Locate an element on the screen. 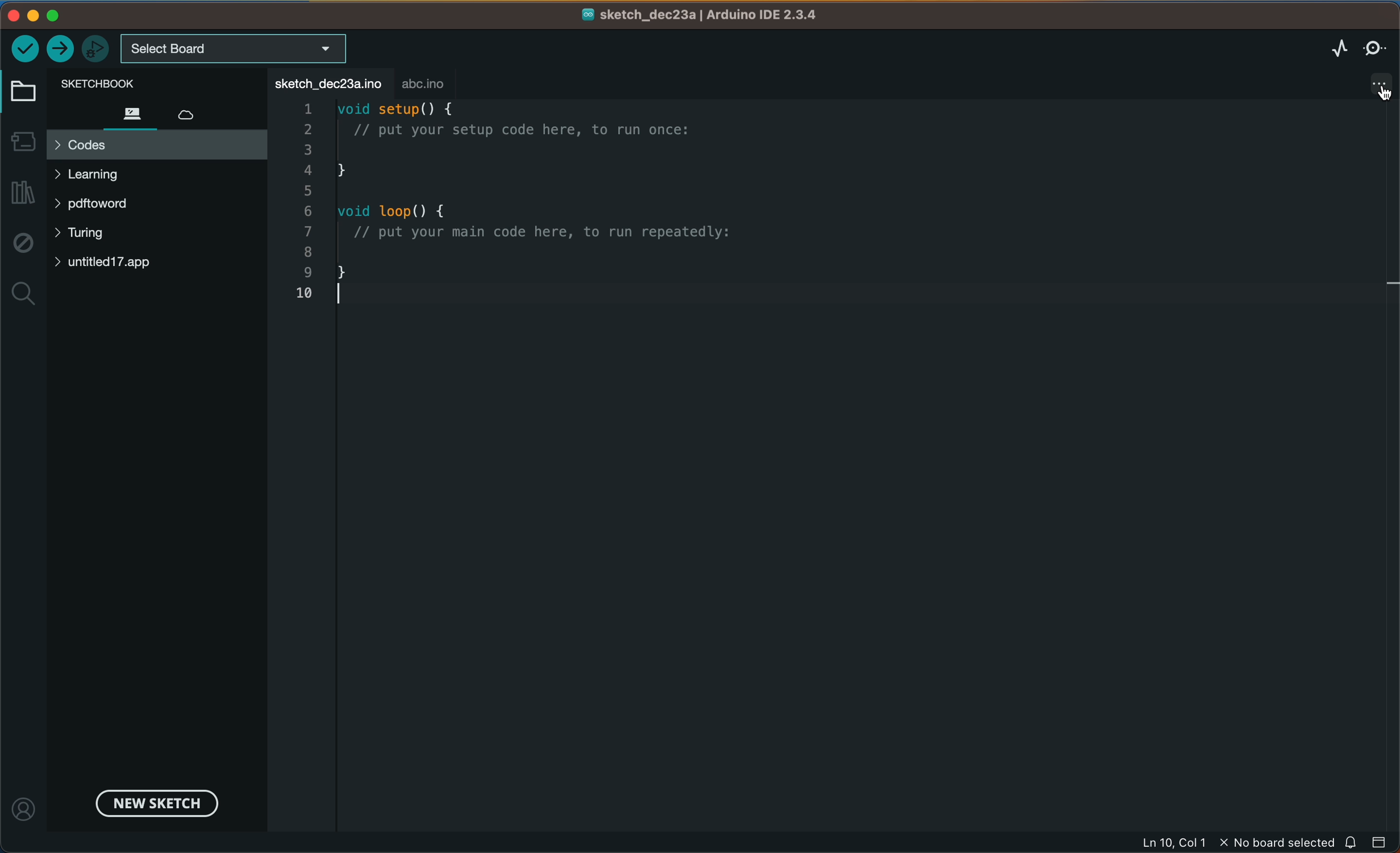  search is located at coordinates (24, 292).